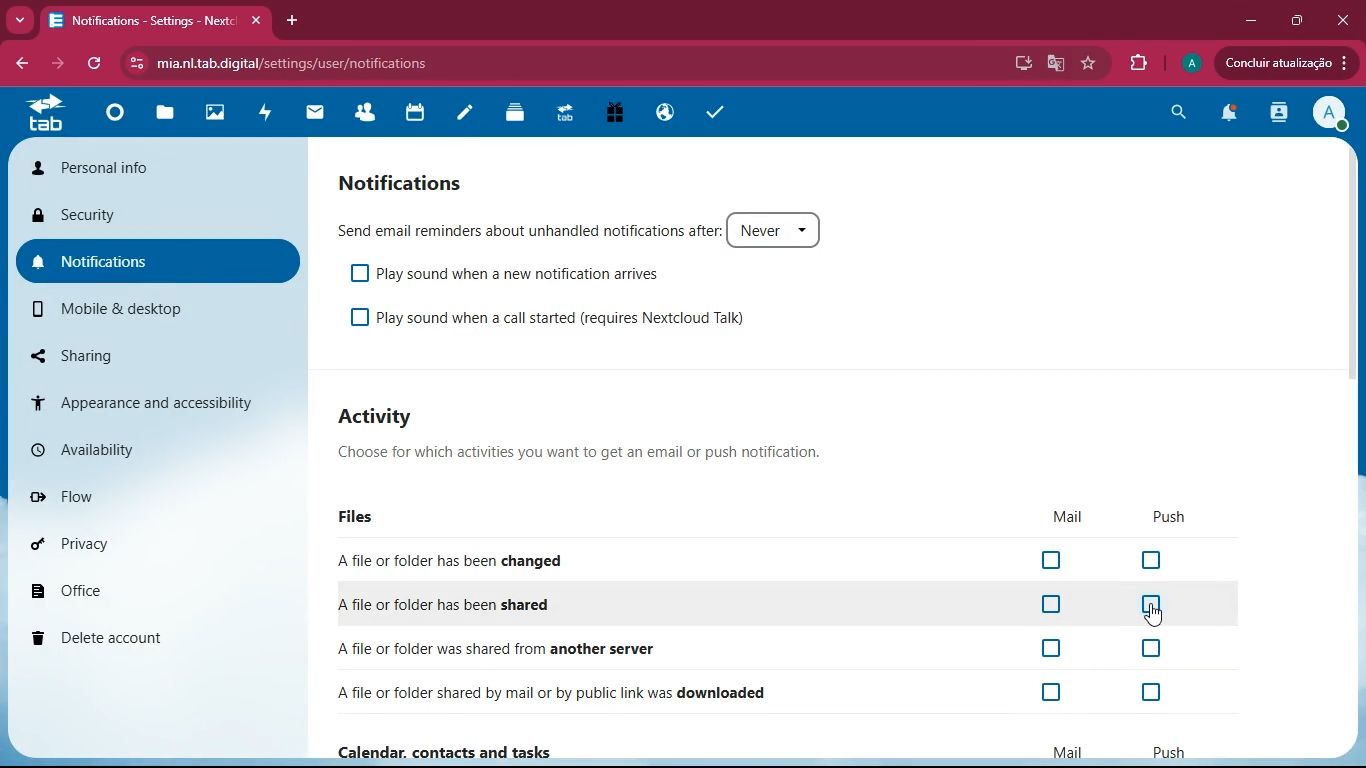  What do you see at coordinates (510, 274) in the screenshot?
I see `play sound` at bounding box center [510, 274].